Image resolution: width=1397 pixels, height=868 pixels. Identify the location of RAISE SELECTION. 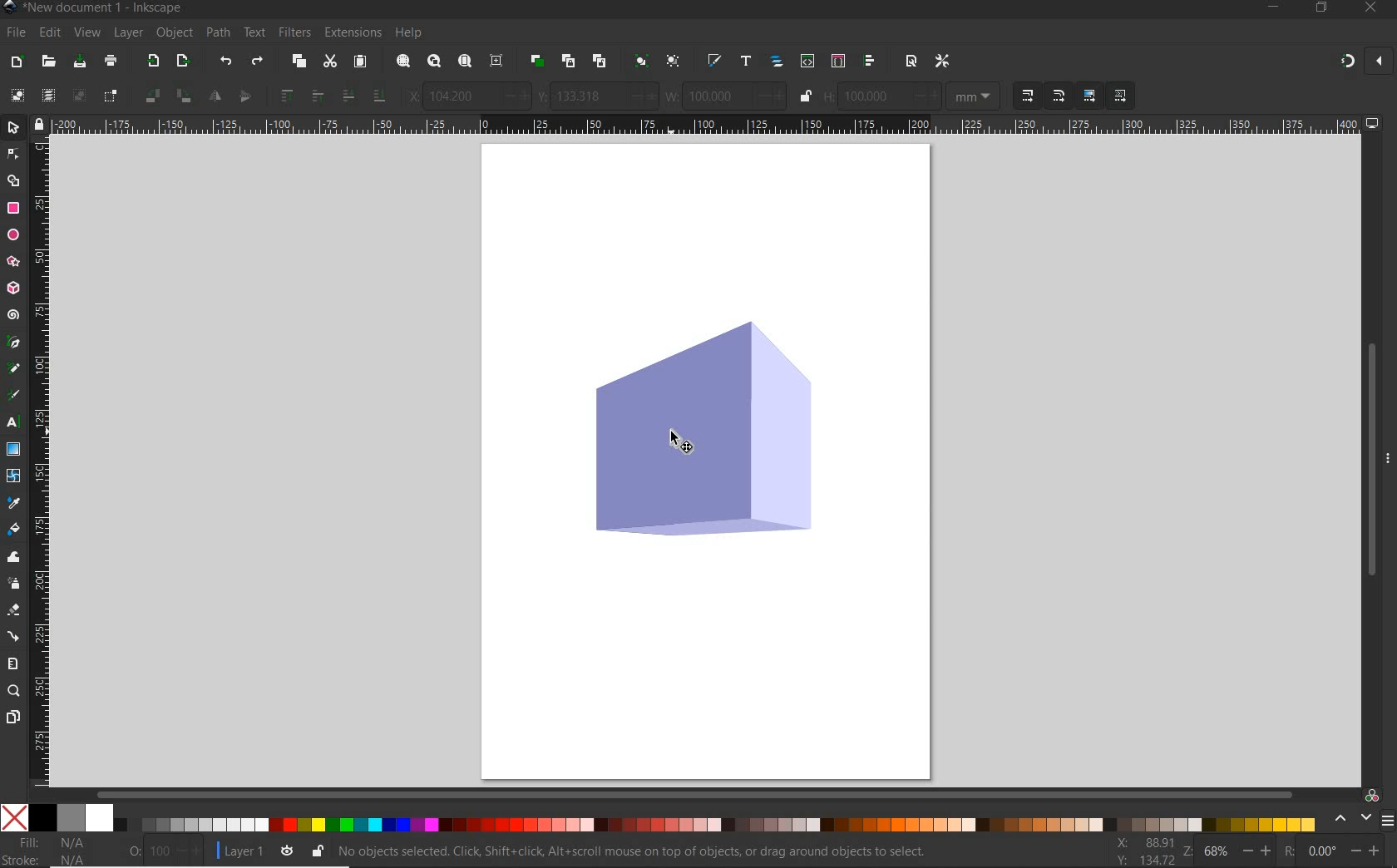
(285, 97).